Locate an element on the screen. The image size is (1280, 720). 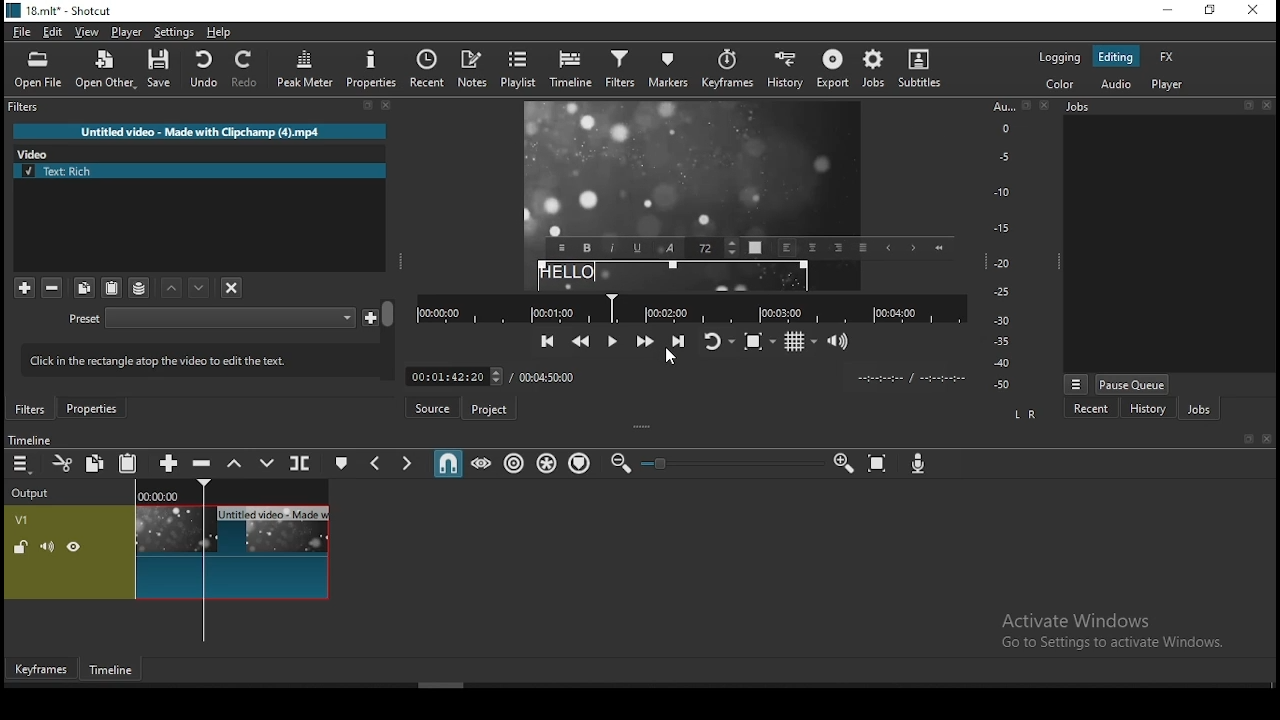
player is located at coordinates (1170, 84).